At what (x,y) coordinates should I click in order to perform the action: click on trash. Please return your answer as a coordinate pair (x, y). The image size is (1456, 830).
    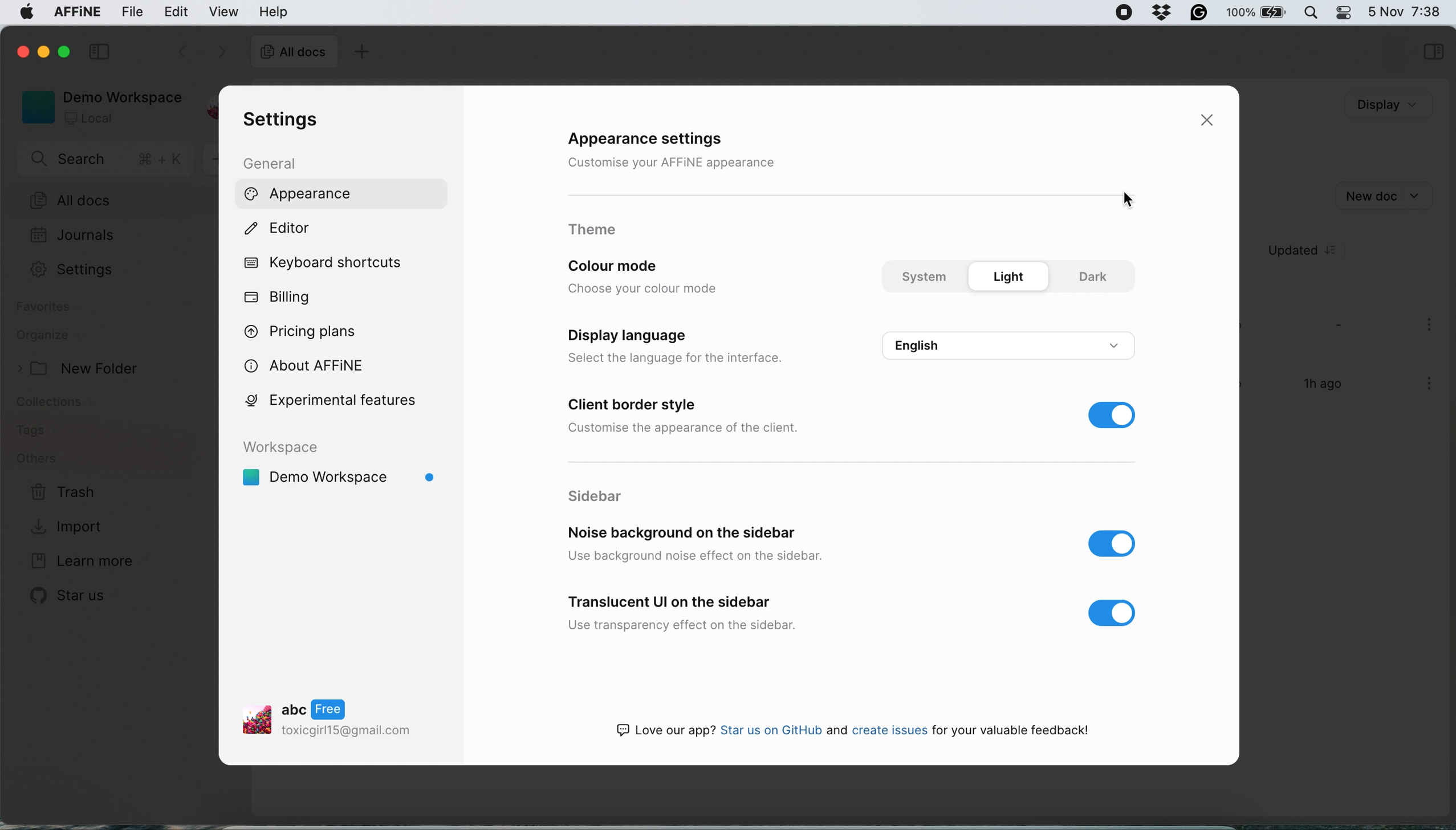
    Looking at the image, I should click on (60, 491).